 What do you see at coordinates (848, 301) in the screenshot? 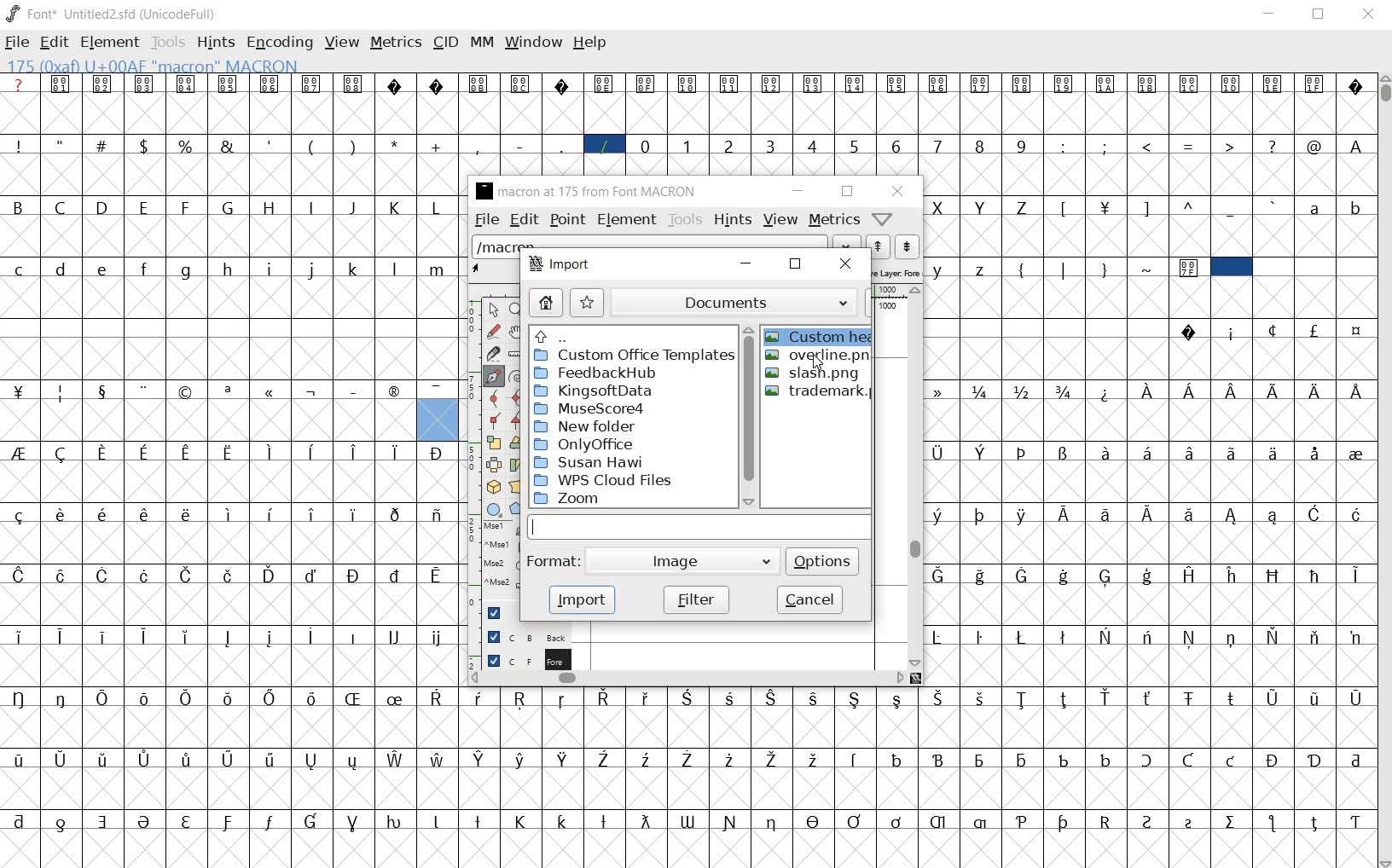
I see `drop down` at bounding box center [848, 301].